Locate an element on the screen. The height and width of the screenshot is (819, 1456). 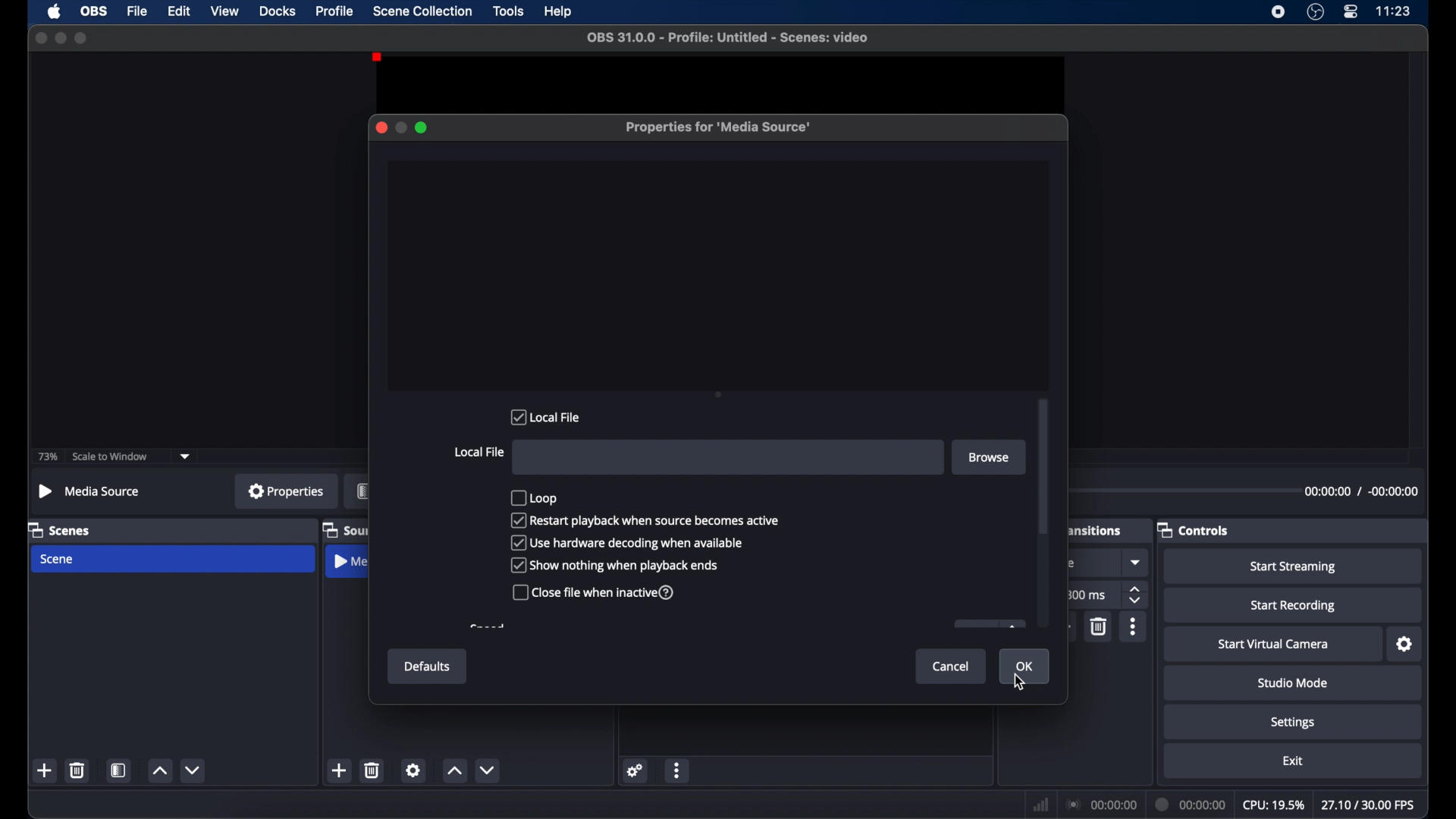
add is located at coordinates (44, 770).